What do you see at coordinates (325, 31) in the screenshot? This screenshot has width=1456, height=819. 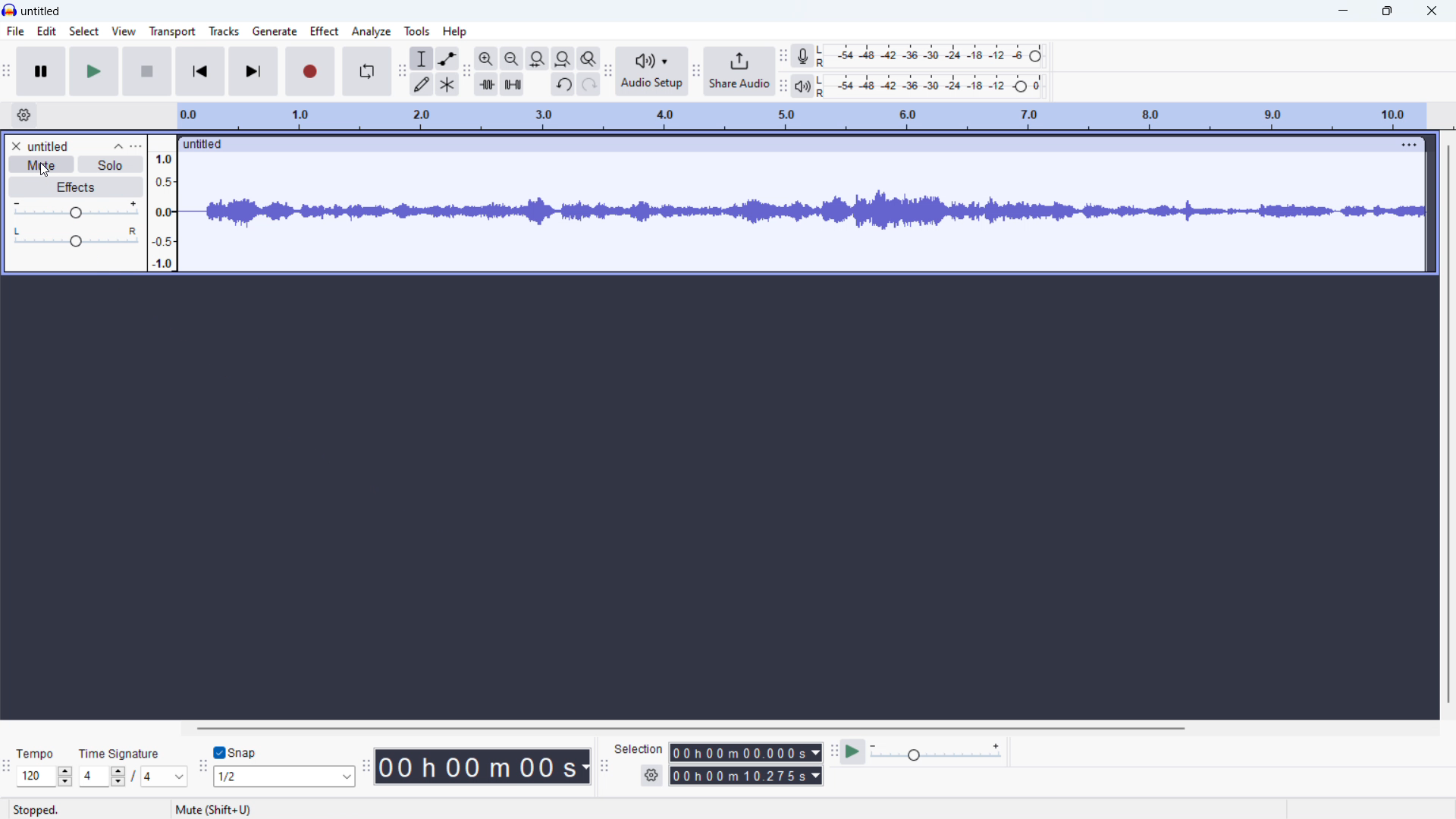 I see `effect` at bounding box center [325, 31].